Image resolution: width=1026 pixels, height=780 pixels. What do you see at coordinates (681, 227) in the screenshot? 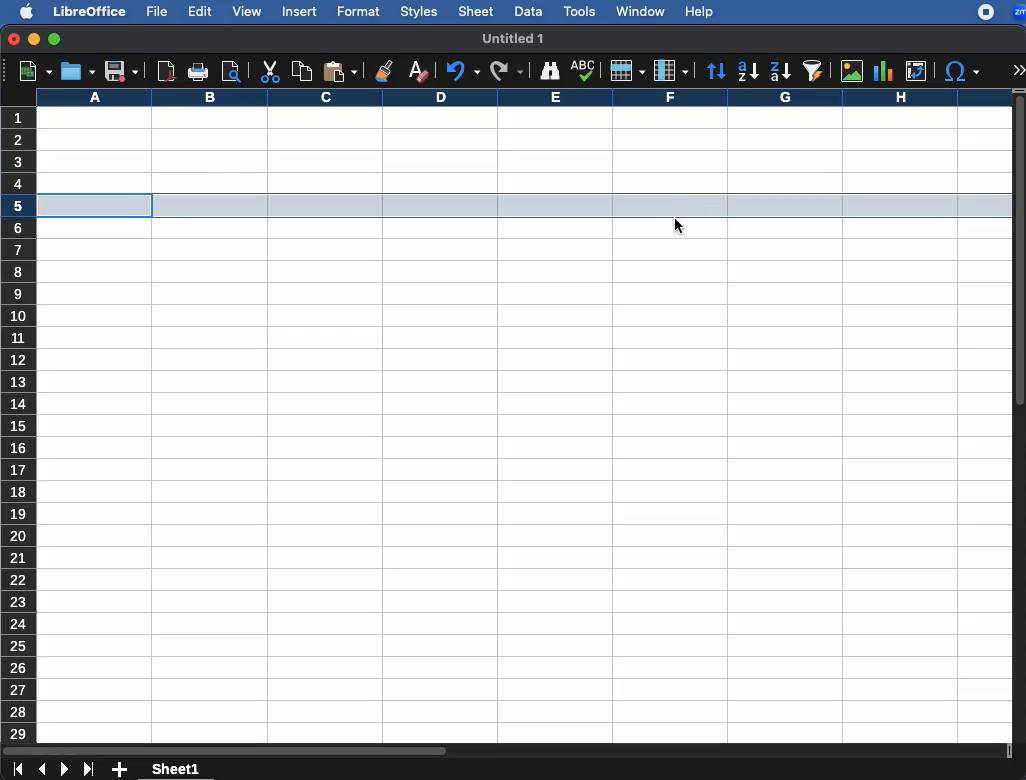
I see `cursor` at bounding box center [681, 227].